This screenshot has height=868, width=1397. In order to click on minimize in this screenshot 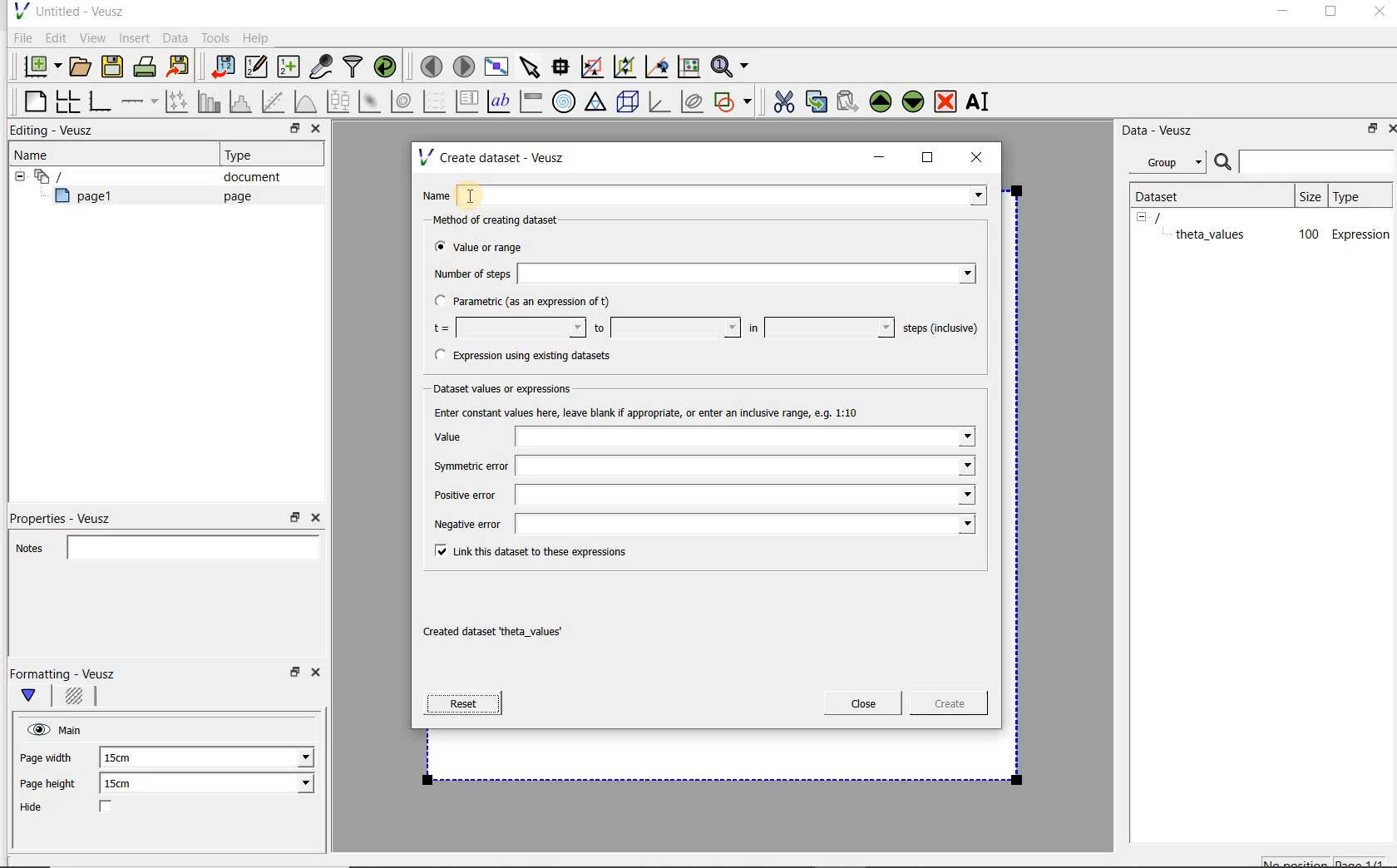, I will do `click(1281, 13)`.